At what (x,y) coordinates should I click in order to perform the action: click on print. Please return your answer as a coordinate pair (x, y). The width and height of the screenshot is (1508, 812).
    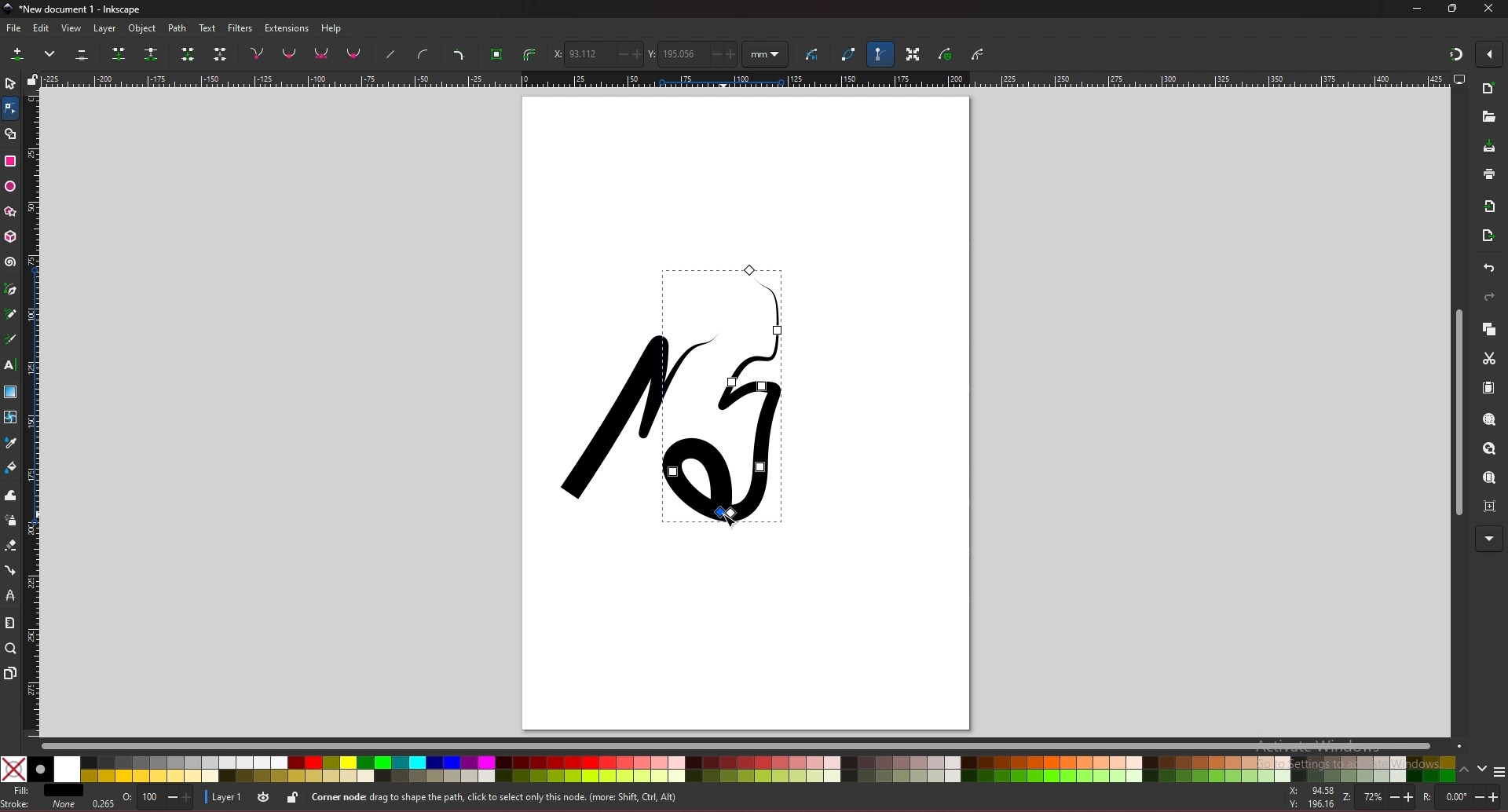
    Looking at the image, I should click on (1490, 174).